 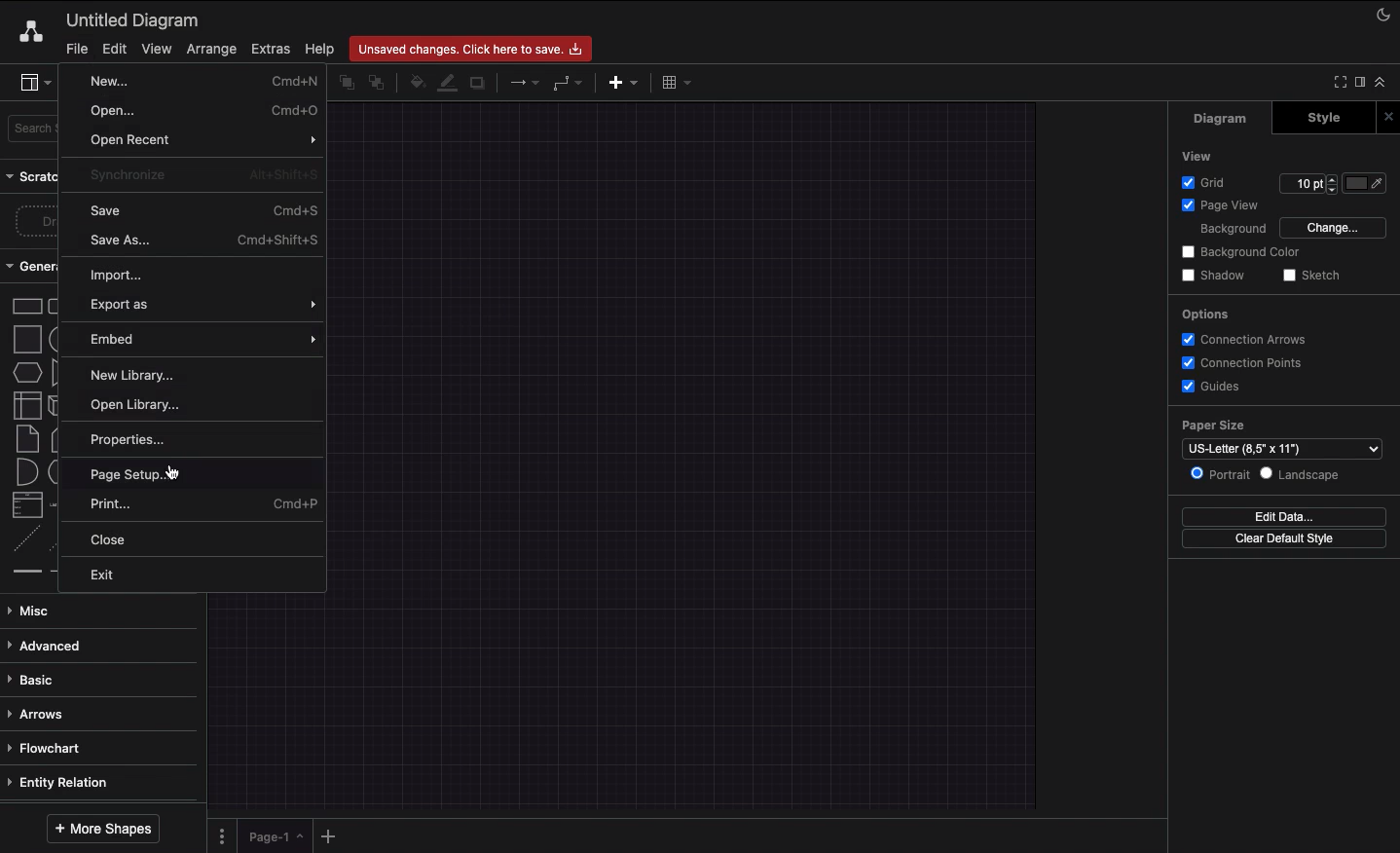 What do you see at coordinates (674, 81) in the screenshot?
I see `Table` at bounding box center [674, 81].